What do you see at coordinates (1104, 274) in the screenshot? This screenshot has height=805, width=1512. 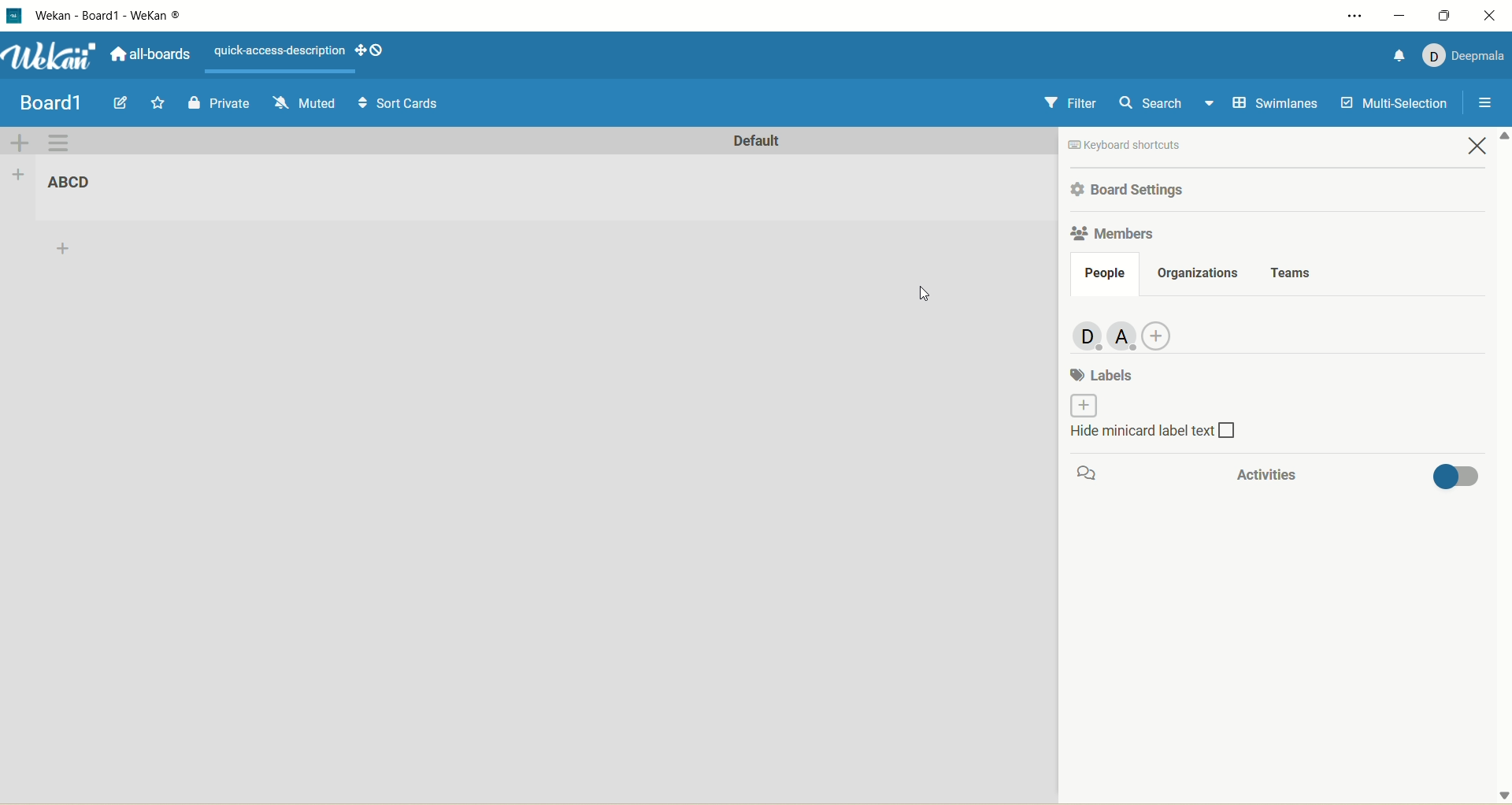 I see `people` at bounding box center [1104, 274].